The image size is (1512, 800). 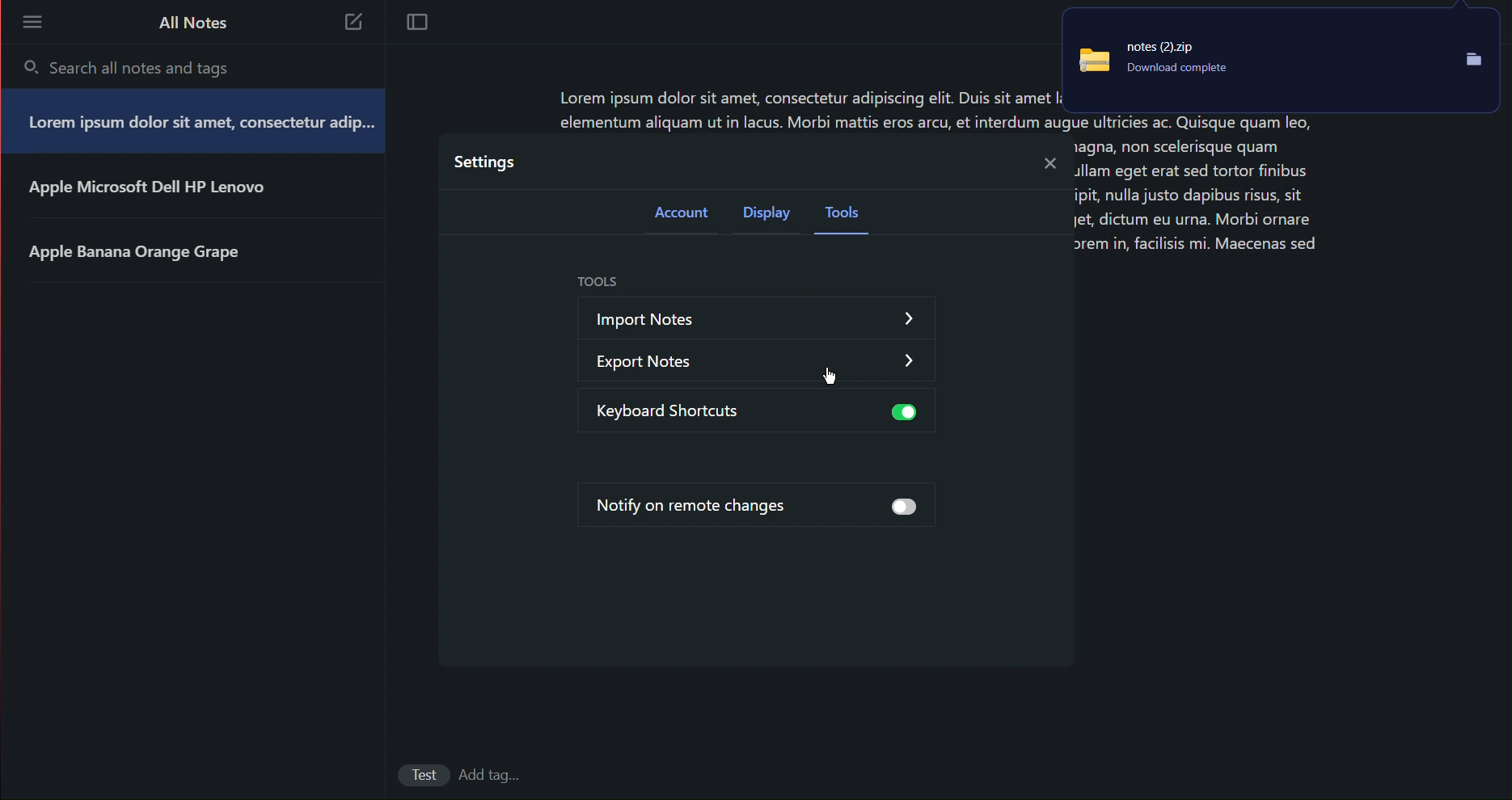 What do you see at coordinates (703, 412) in the screenshot?
I see `Keyboard Shortcuts` at bounding box center [703, 412].